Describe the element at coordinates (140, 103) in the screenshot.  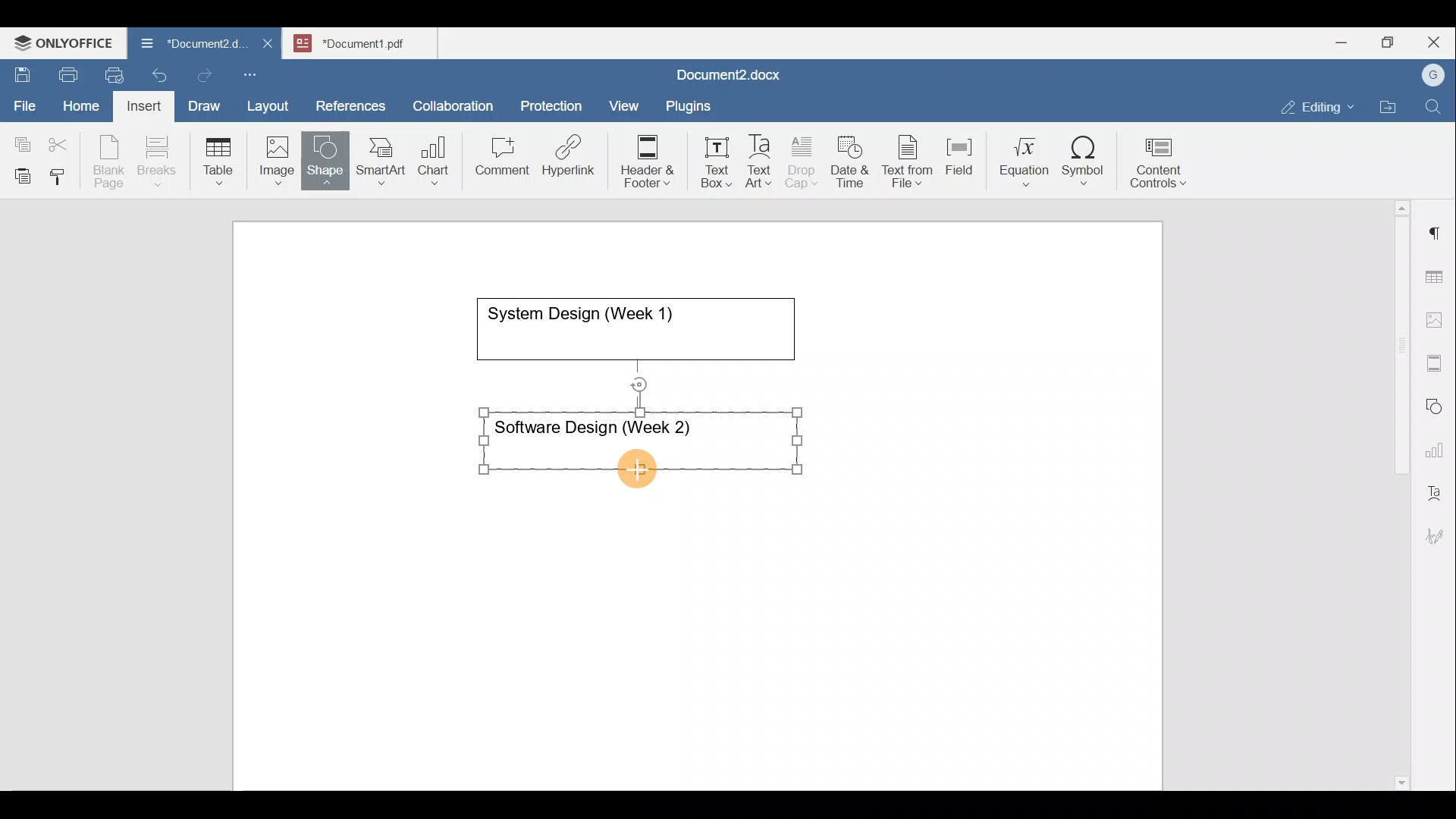
I see `Insert` at that location.